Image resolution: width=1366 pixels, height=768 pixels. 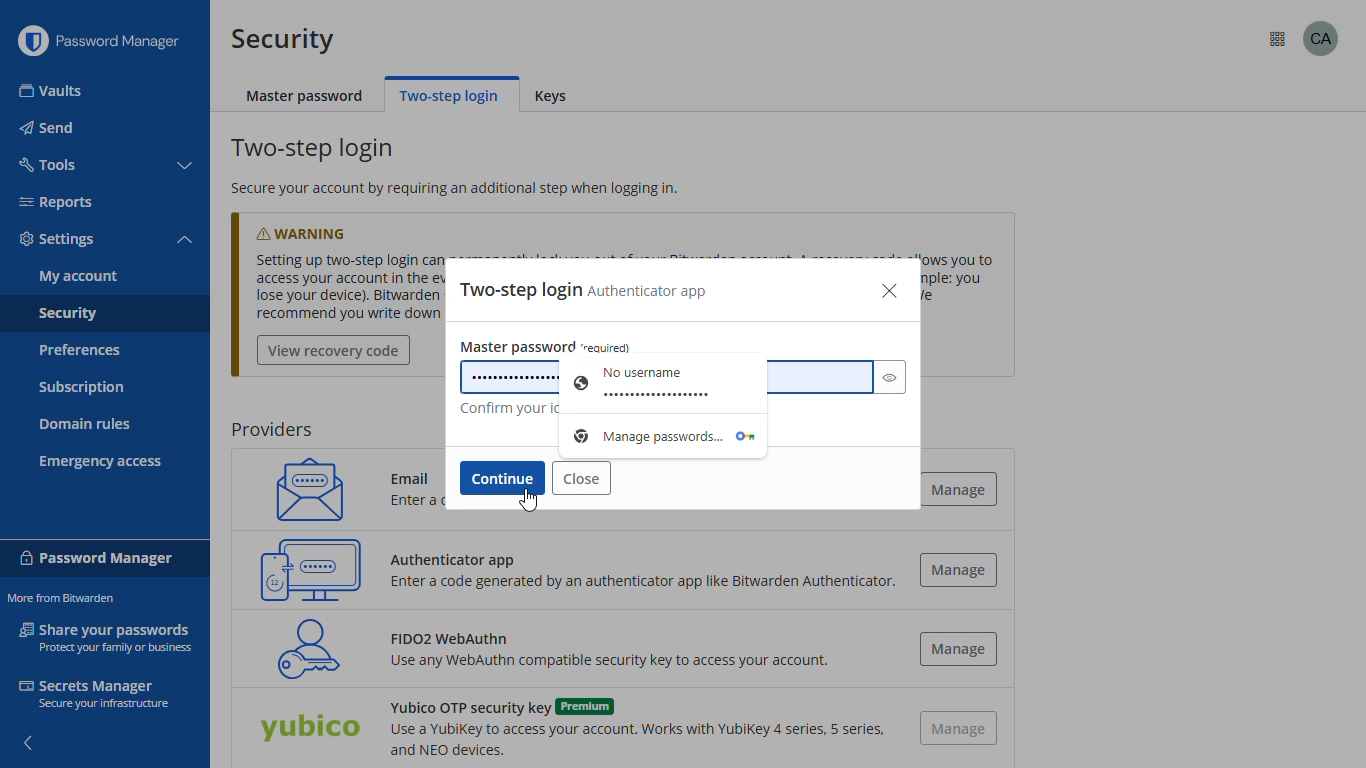 I want to click on Yubico OTP security key (Premium), so click(x=309, y=730).